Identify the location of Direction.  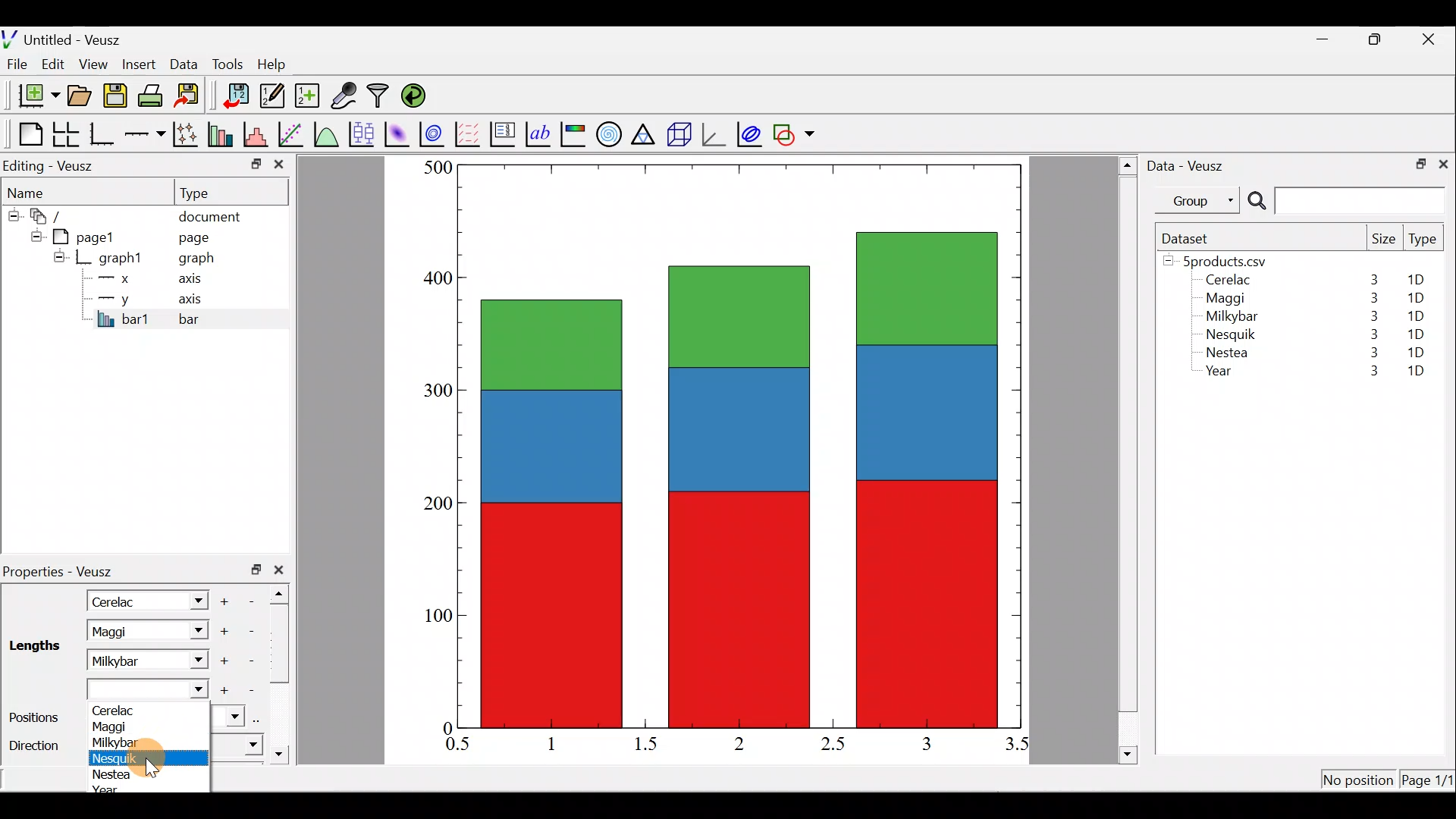
(38, 746).